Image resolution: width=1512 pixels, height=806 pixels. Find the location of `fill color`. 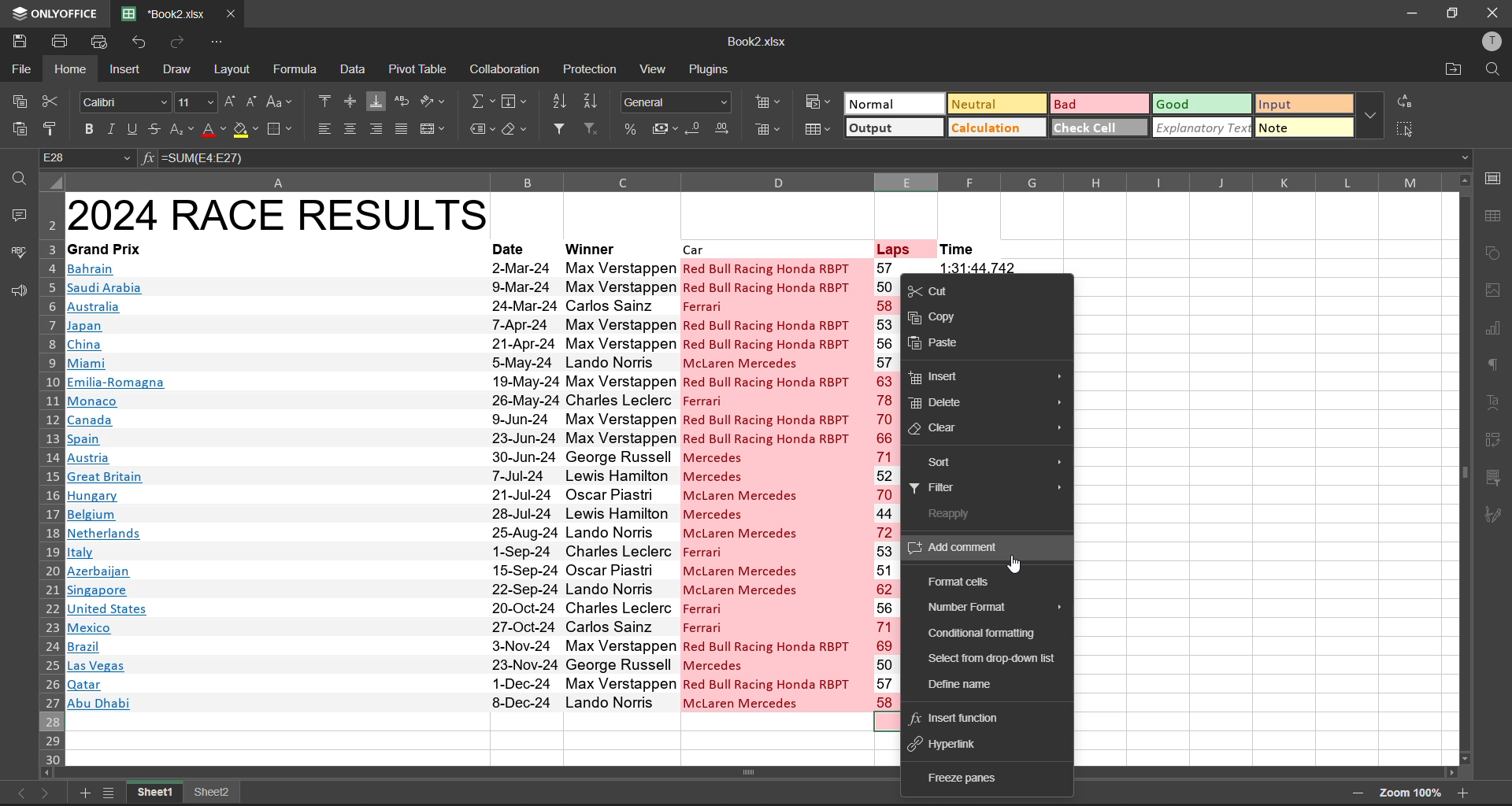

fill color is located at coordinates (244, 130).